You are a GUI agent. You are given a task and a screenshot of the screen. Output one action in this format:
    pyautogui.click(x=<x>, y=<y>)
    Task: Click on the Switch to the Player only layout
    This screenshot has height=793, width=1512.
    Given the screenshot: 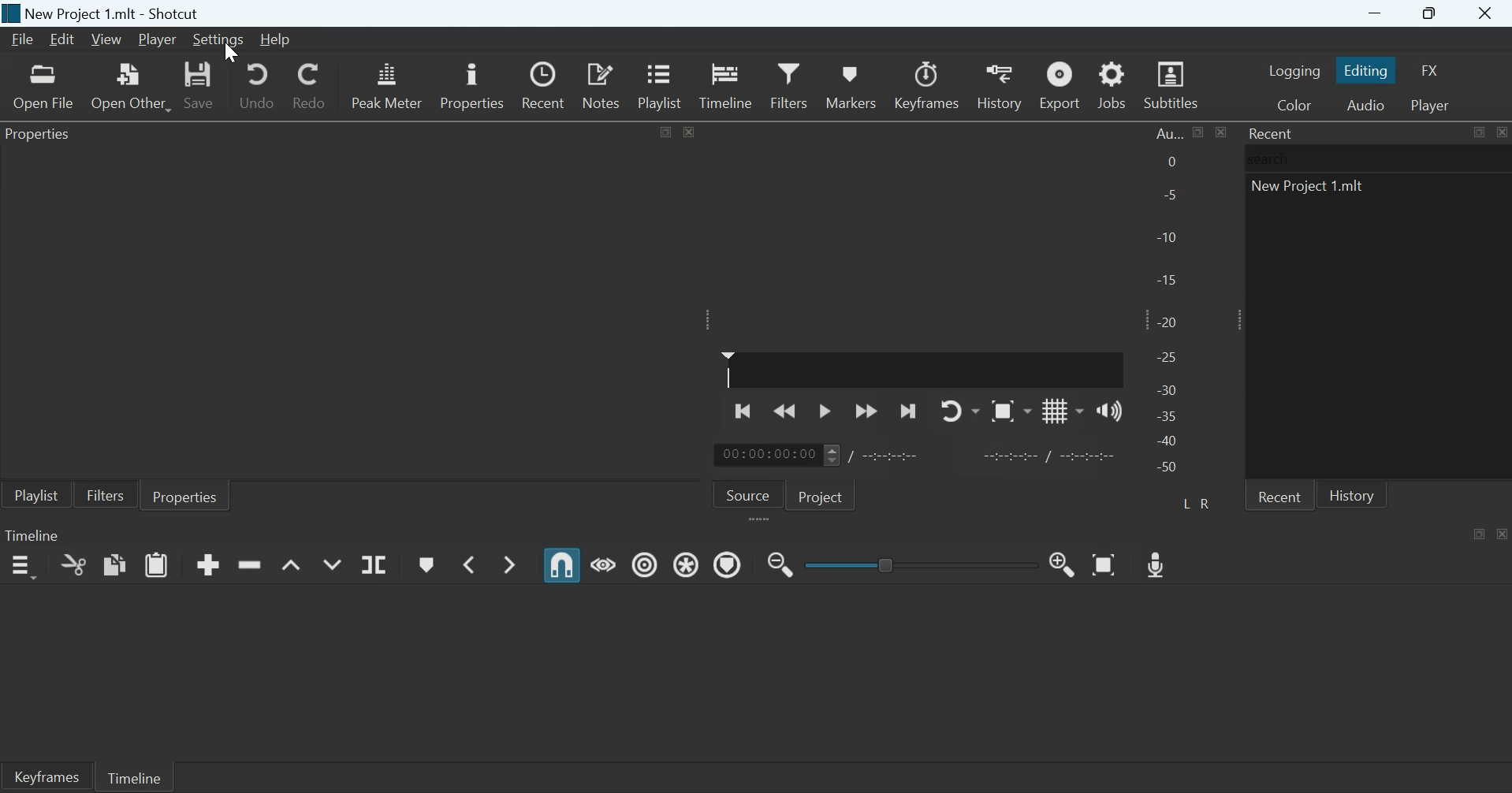 What is the action you would take?
    pyautogui.click(x=1432, y=106)
    